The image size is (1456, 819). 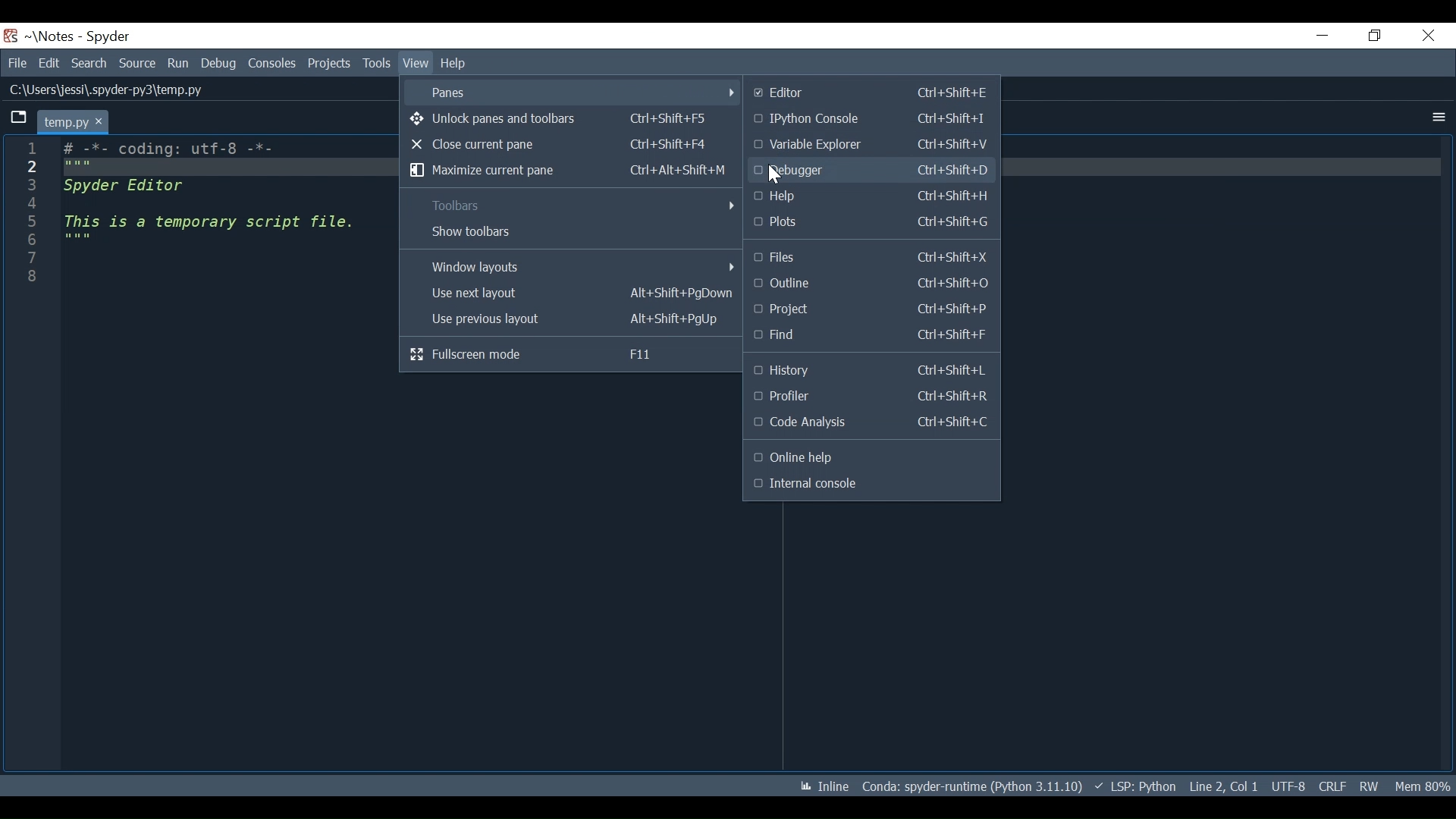 I want to click on Projects Name, so click(x=55, y=36).